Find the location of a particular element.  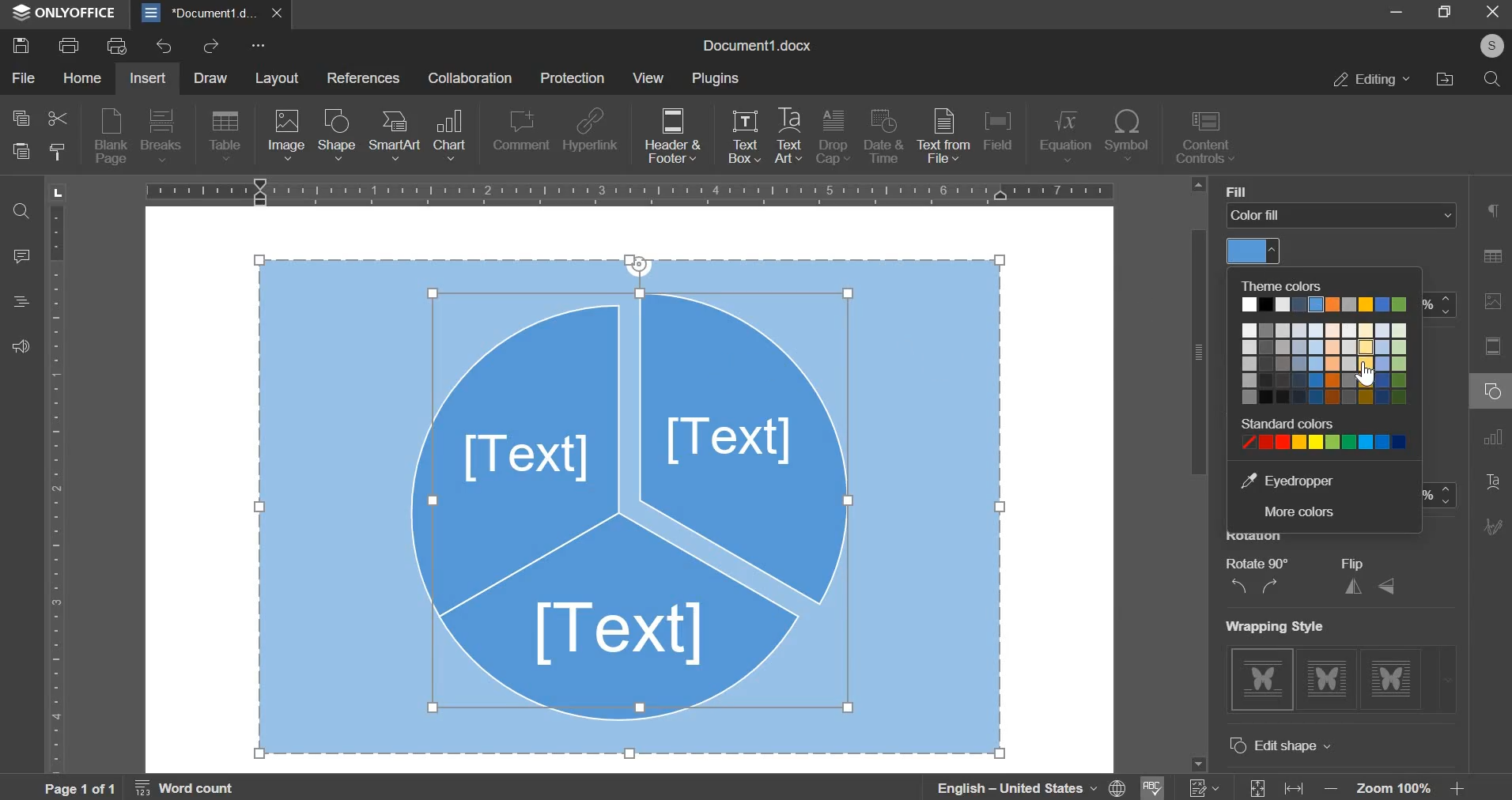

smartart is located at coordinates (395, 134).